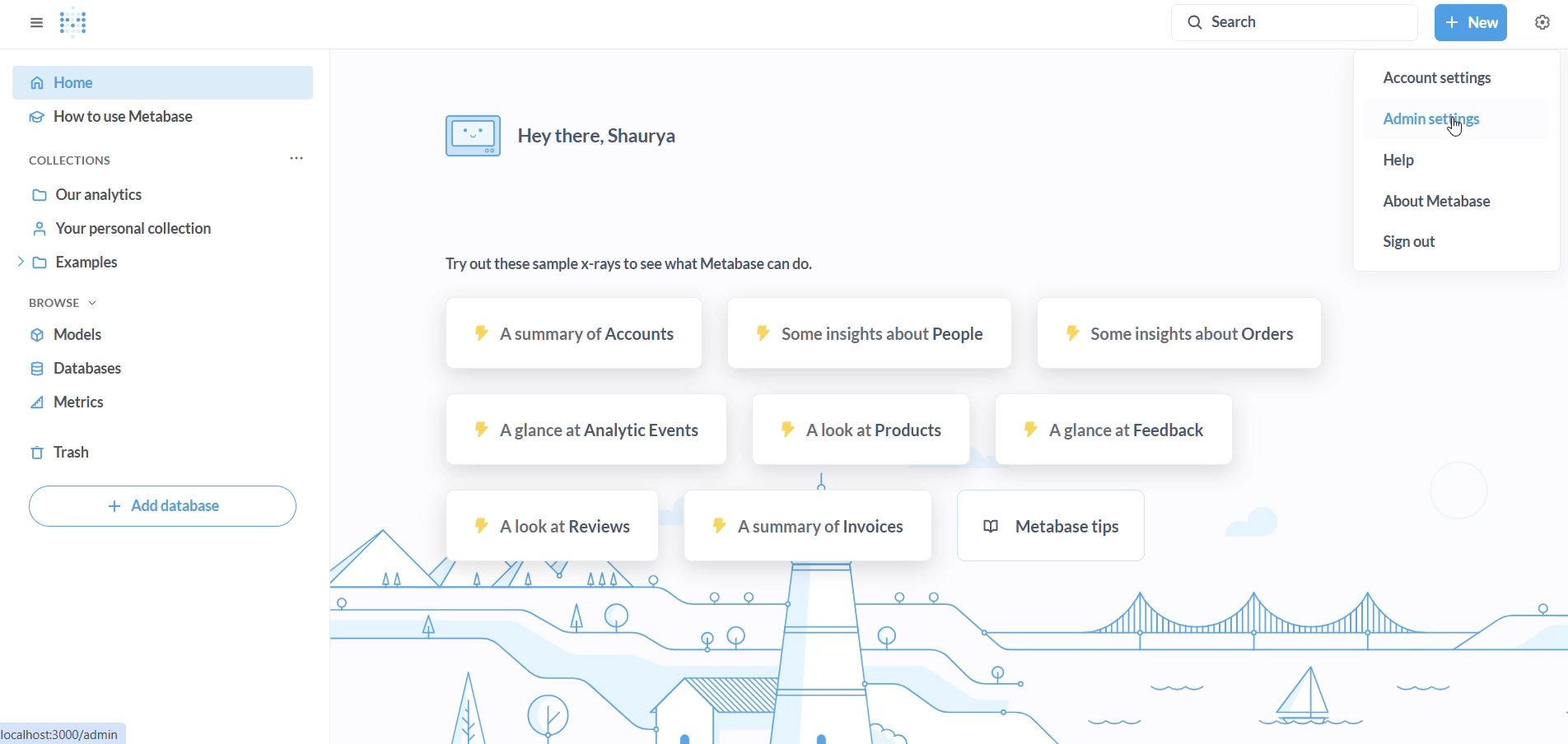  Describe the element at coordinates (1473, 22) in the screenshot. I see `New` at that location.